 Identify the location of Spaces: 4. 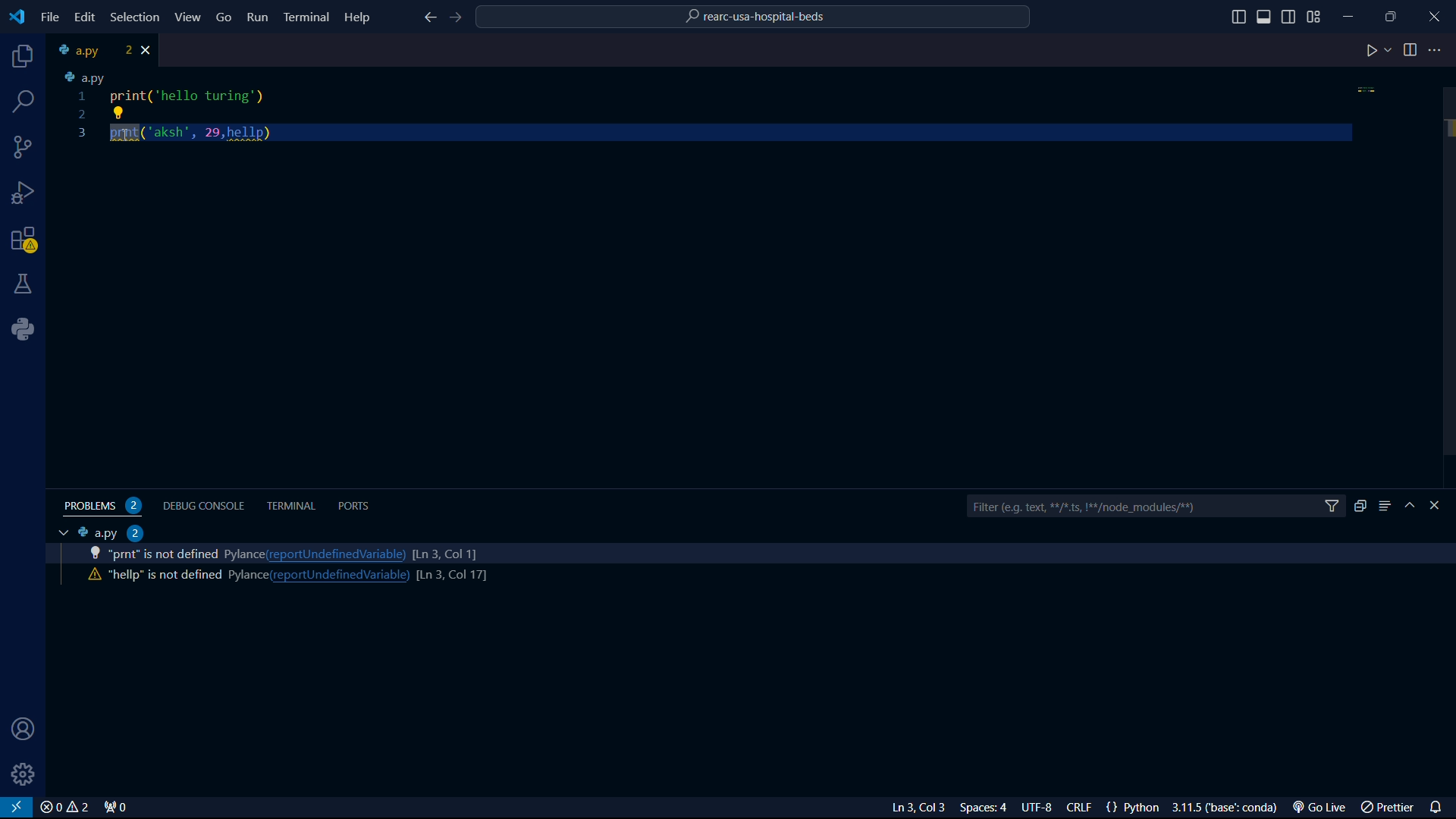
(987, 808).